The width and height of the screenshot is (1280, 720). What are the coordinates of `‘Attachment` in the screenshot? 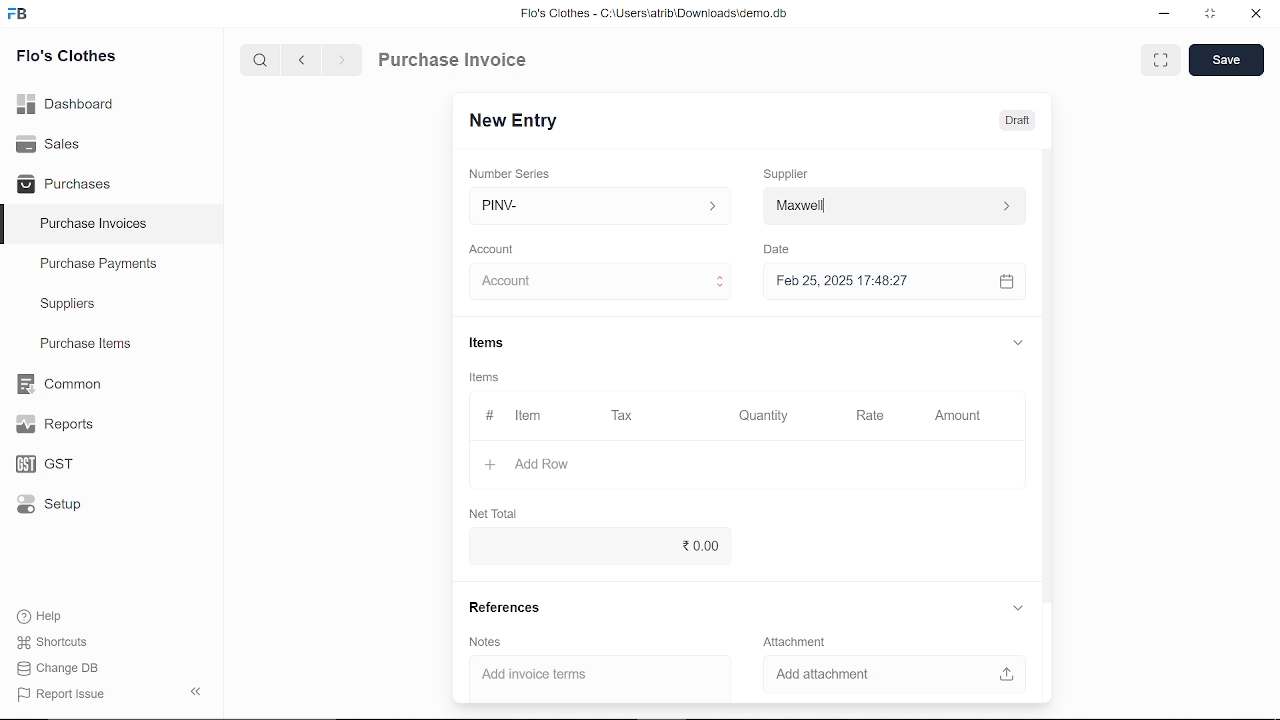 It's located at (794, 641).